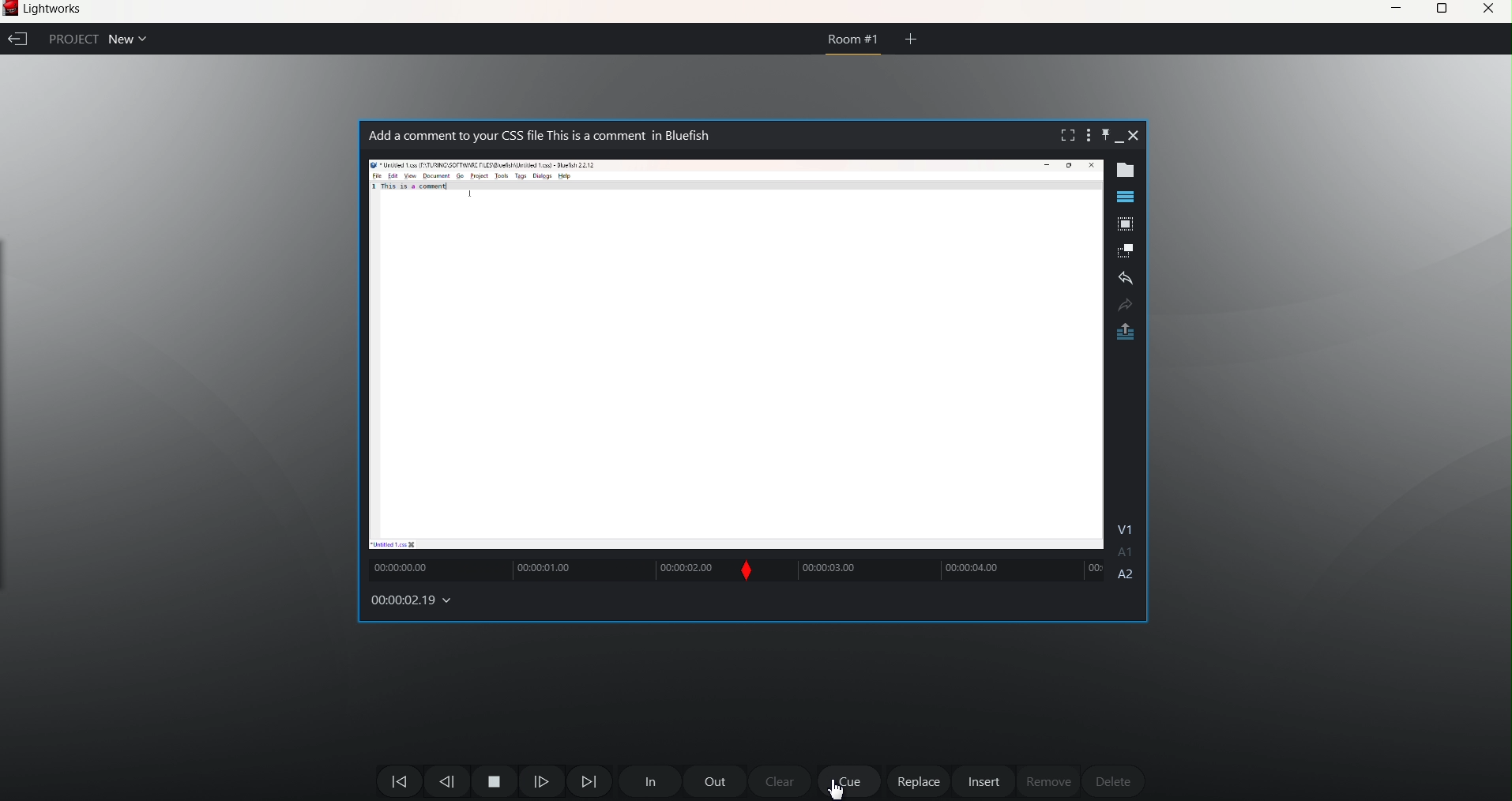  I want to click on In, so click(648, 782).